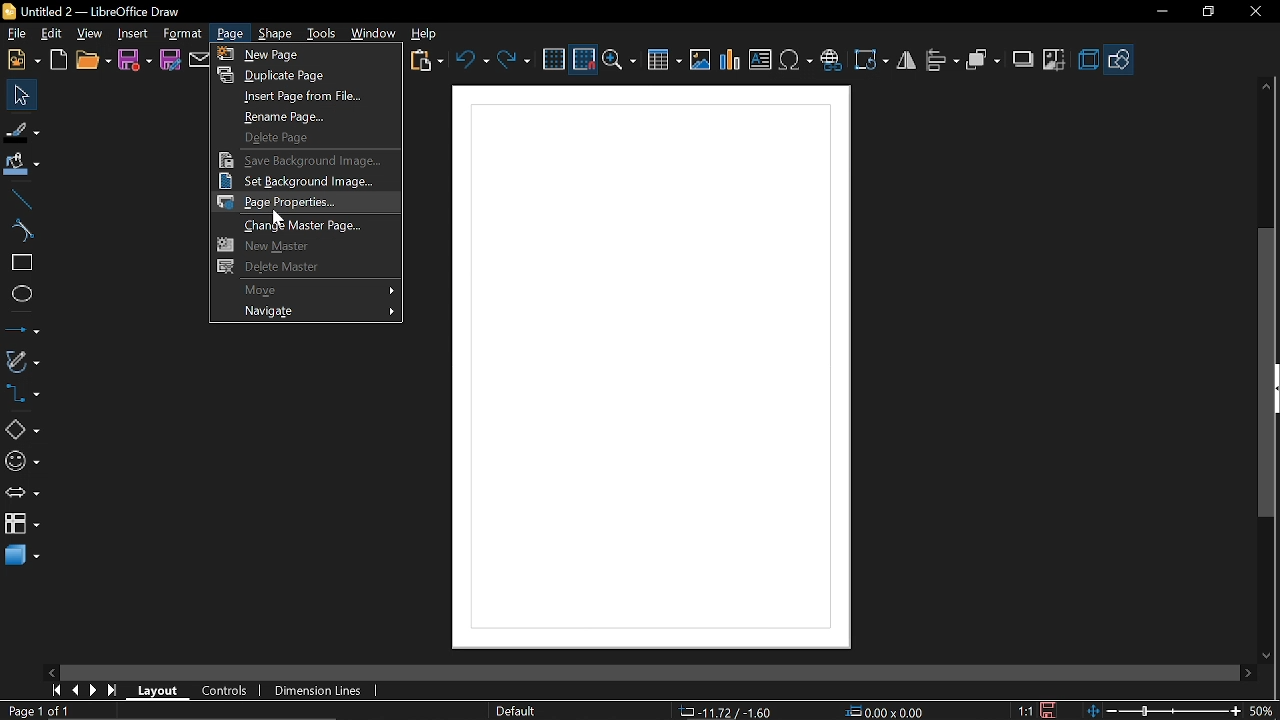 The image size is (1280, 720). Describe the element at coordinates (304, 226) in the screenshot. I see `Change master page` at that location.